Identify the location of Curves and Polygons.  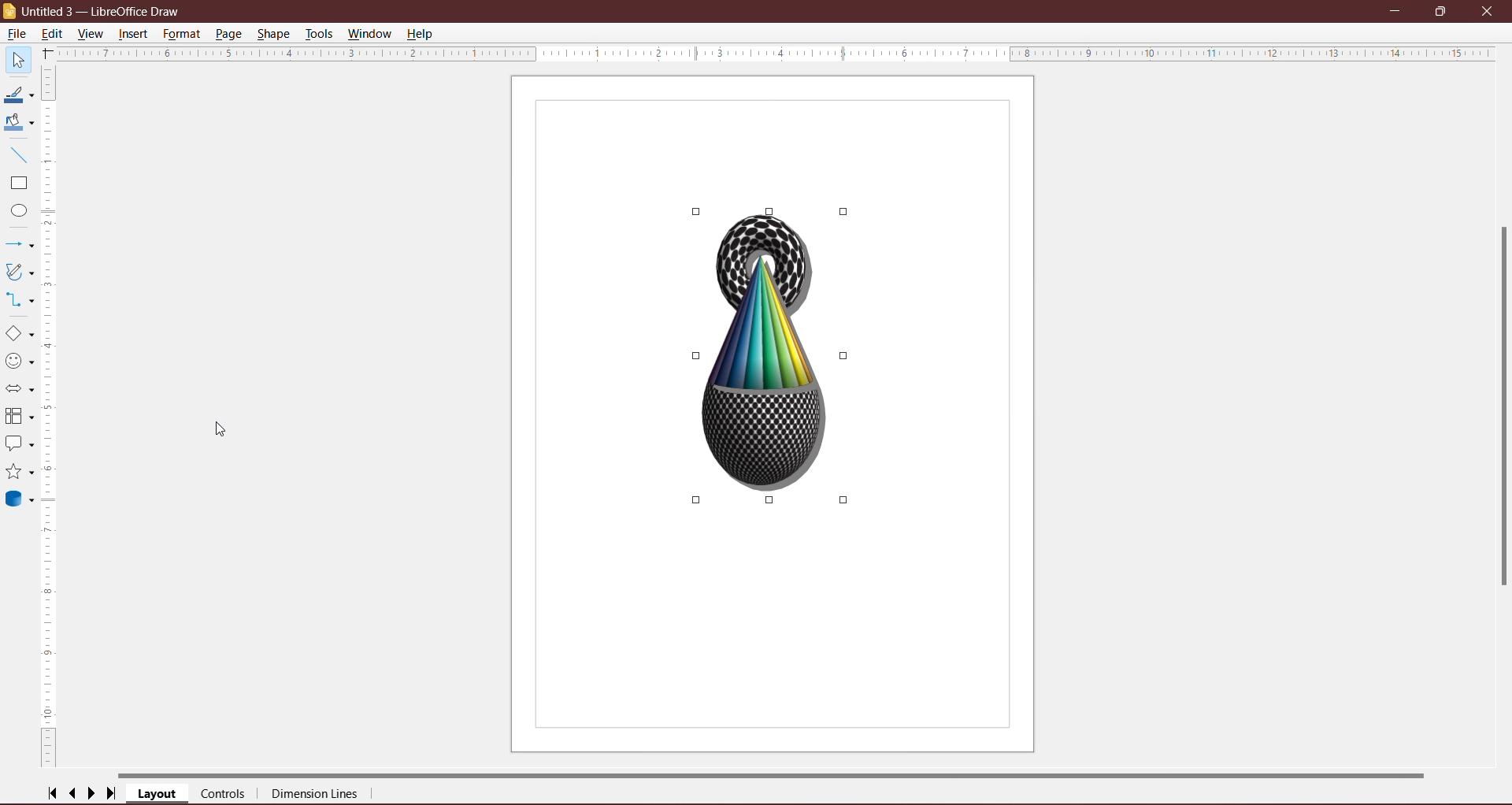
(20, 272).